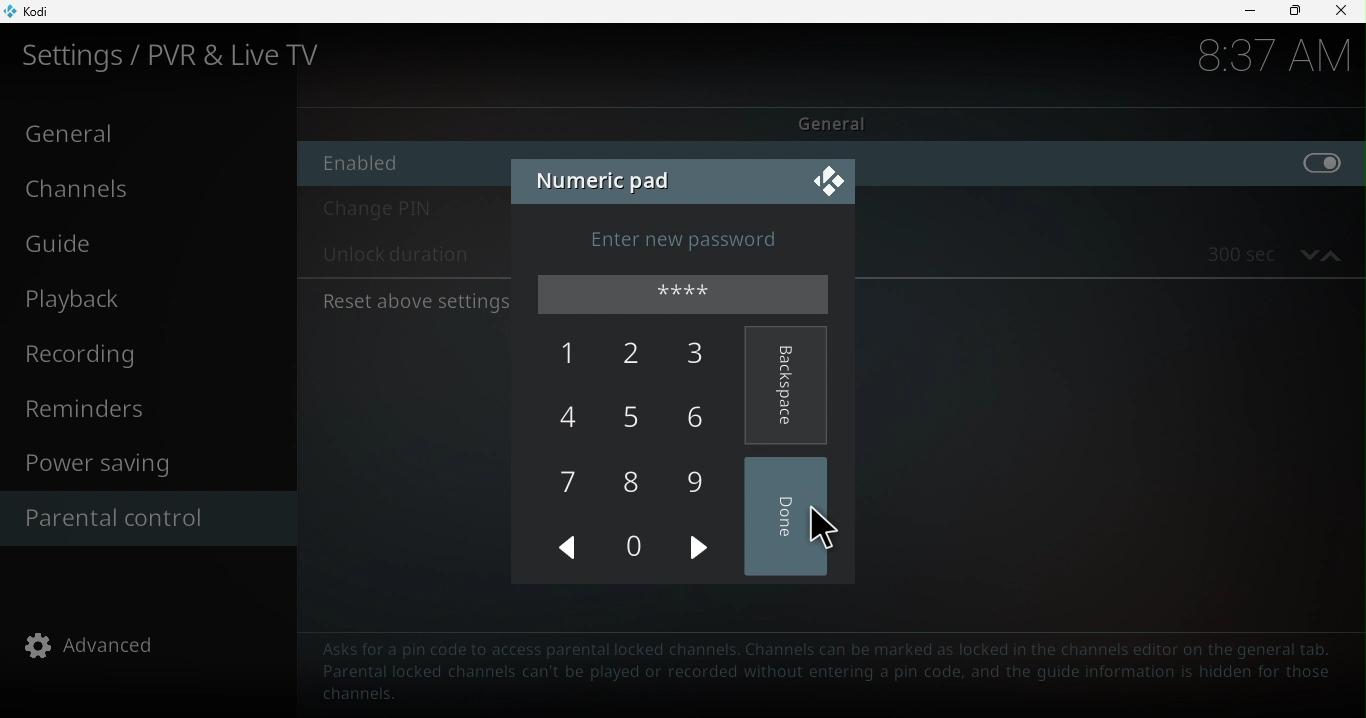 Image resolution: width=1366 pixels, height=718 pixels. I want to click on Previous, so click(565, 548).